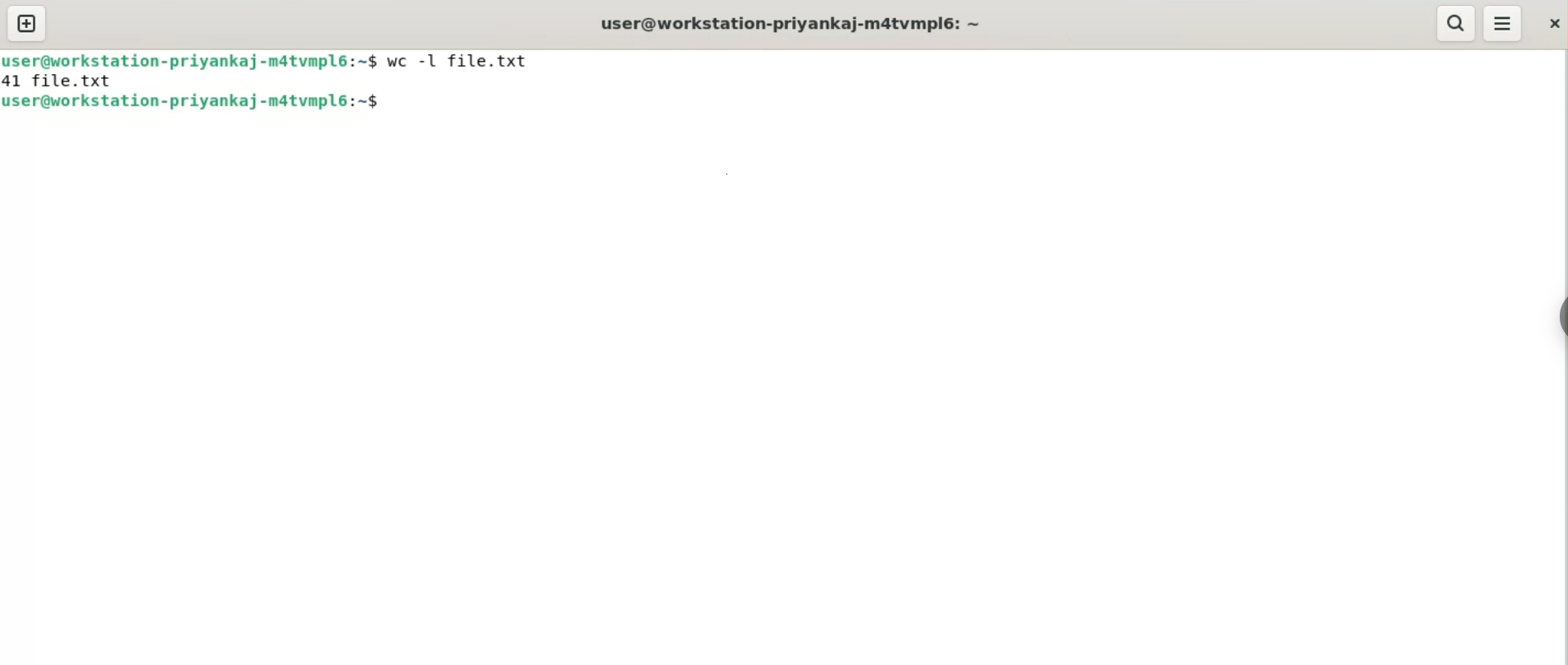 The height and width of the screenshot is (665, 1568). Describe the element at coordinates (59, 81) in the screenshot. I see `41 file.txt` at that location.